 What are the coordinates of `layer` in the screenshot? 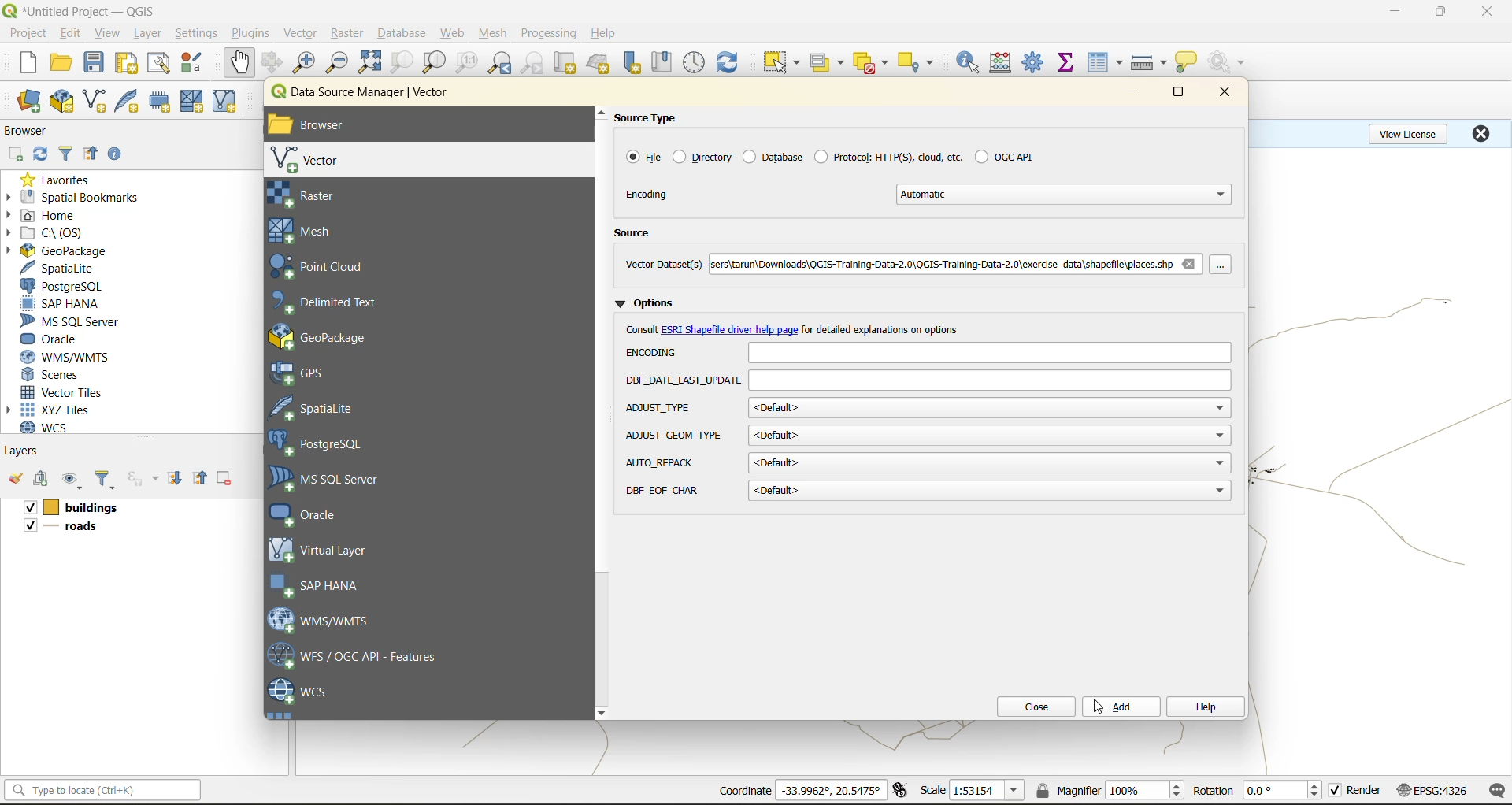 It's located at (145, 34).